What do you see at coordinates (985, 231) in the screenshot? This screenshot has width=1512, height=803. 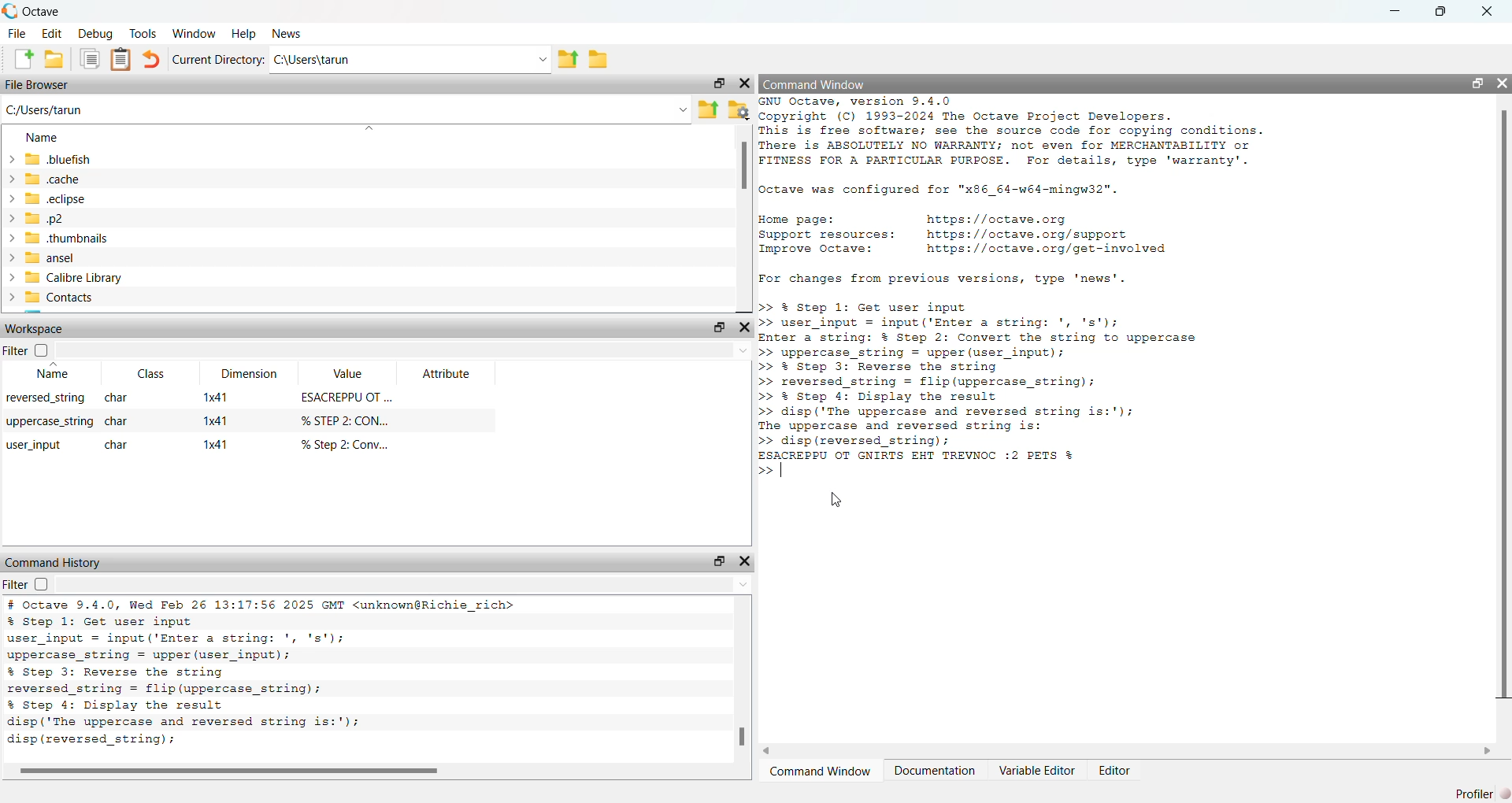 I see `resources of octave` at bounding box center [985, 231].